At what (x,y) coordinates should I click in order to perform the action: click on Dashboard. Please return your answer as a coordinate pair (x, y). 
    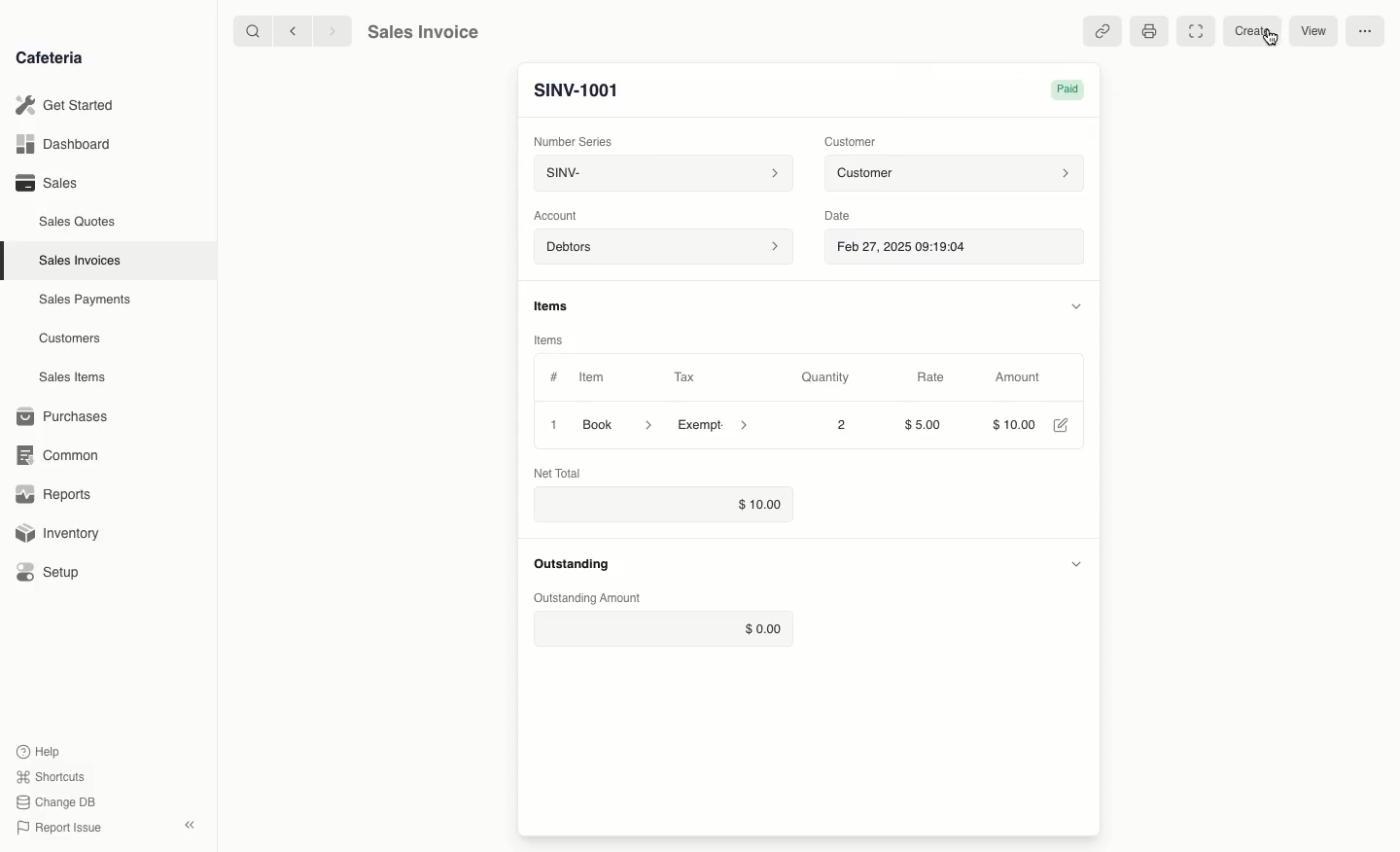
    Looking at the image, I should click on (63, 144).